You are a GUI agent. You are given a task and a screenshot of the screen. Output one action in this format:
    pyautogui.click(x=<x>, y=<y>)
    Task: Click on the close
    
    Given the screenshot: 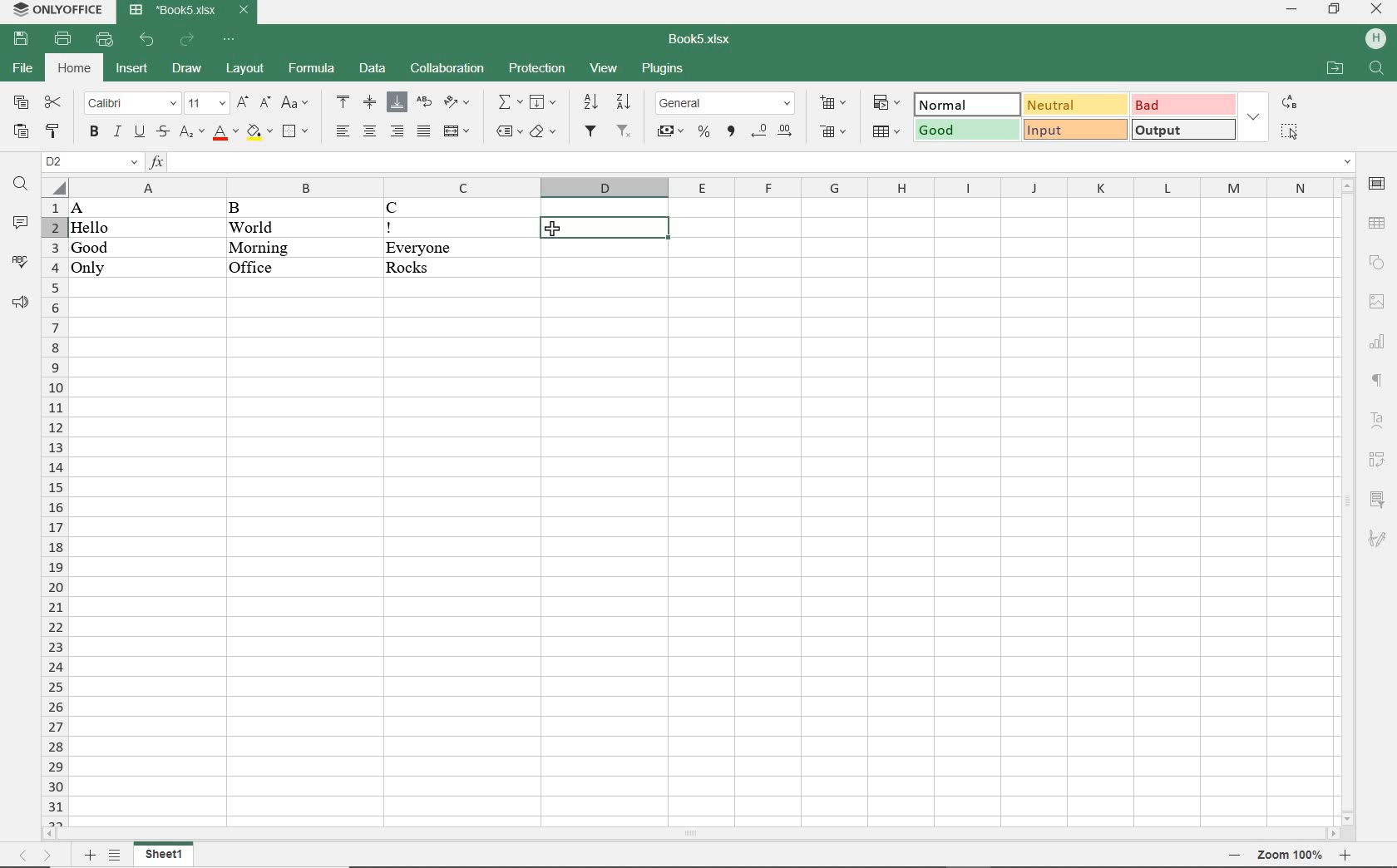 What is the action you would take?
    pyautogui.click(x=1375, y=11)
    